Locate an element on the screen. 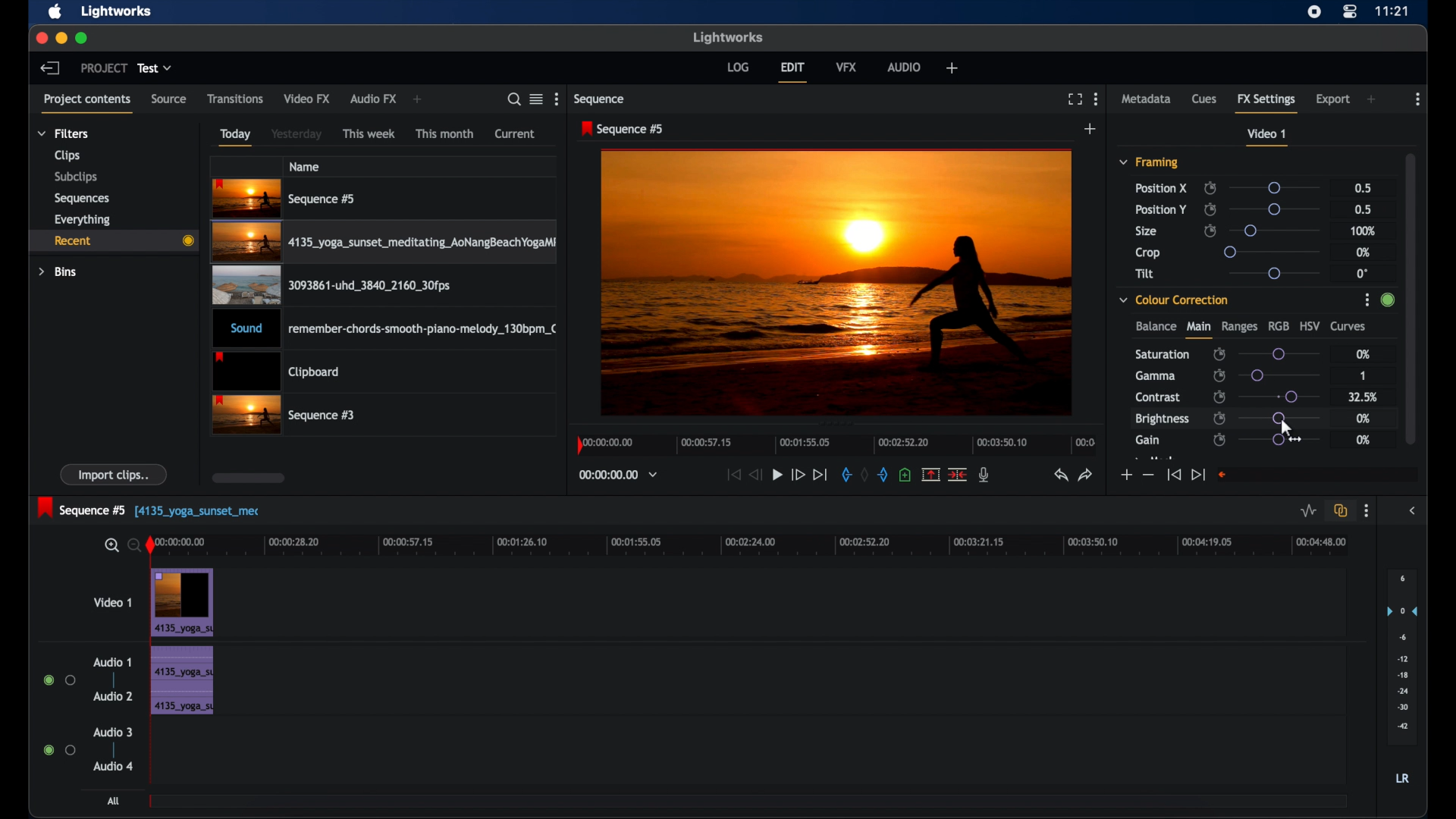 This screenshot has height=819, width=1456. framing is located at coordinates (1148, 162).